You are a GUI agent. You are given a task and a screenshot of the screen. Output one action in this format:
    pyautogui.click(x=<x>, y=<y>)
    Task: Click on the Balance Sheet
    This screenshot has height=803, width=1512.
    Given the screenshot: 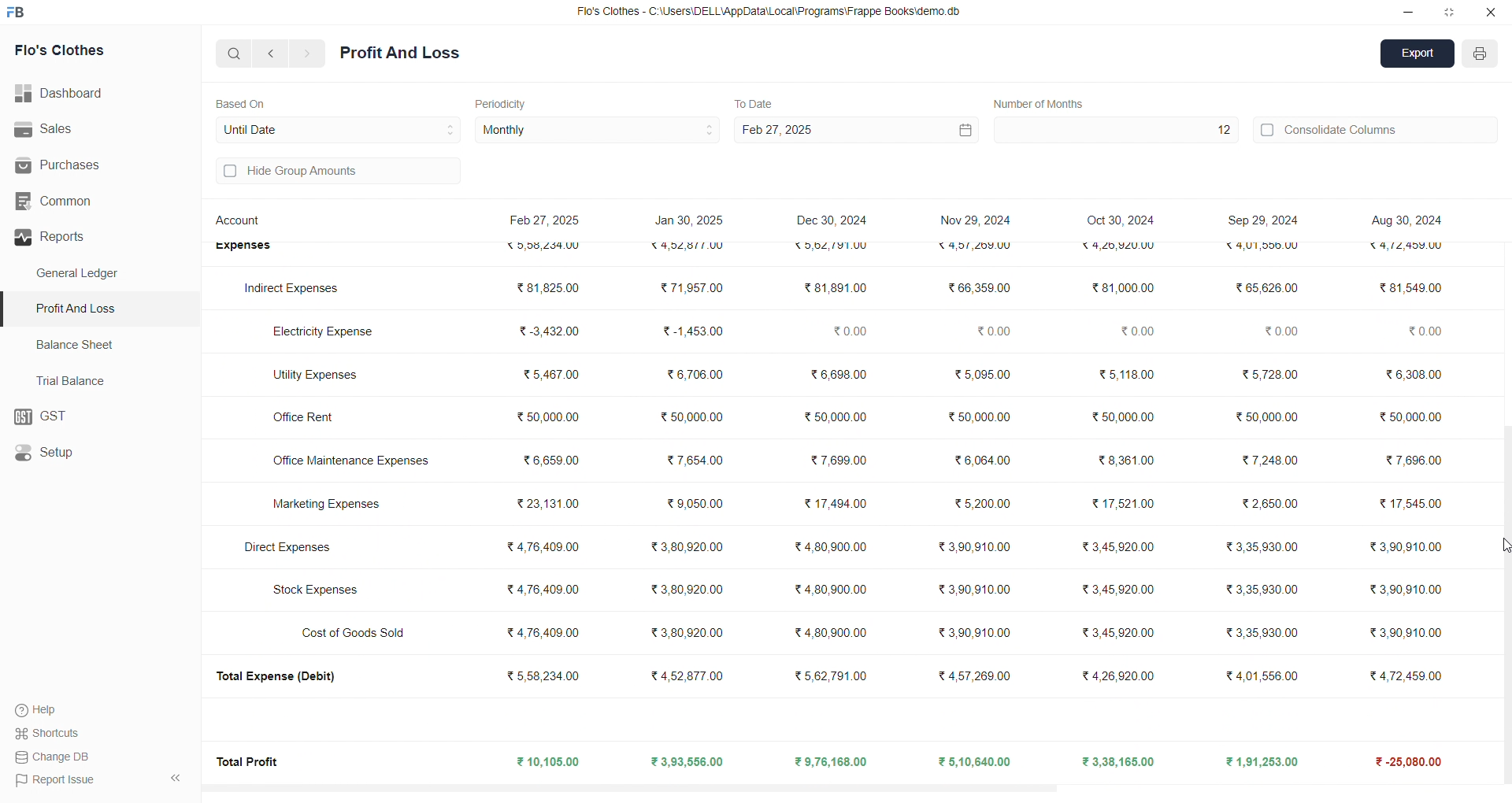 What is the action you would take?
    pyautogui.click(x=77, y=343)
    